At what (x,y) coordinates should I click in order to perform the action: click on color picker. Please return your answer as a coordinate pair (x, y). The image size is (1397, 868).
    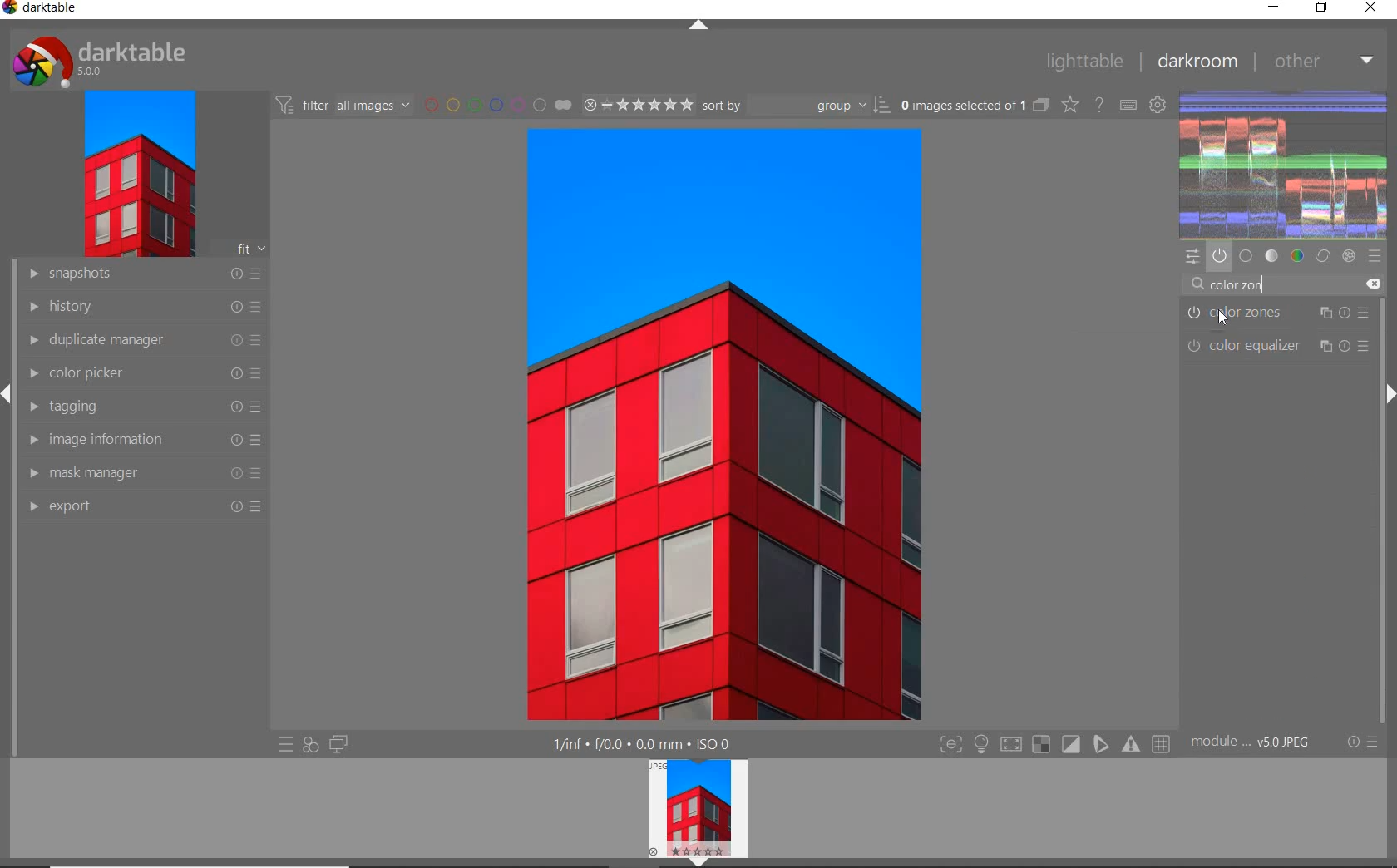
    Looking at the image, I should click on (142, 376).